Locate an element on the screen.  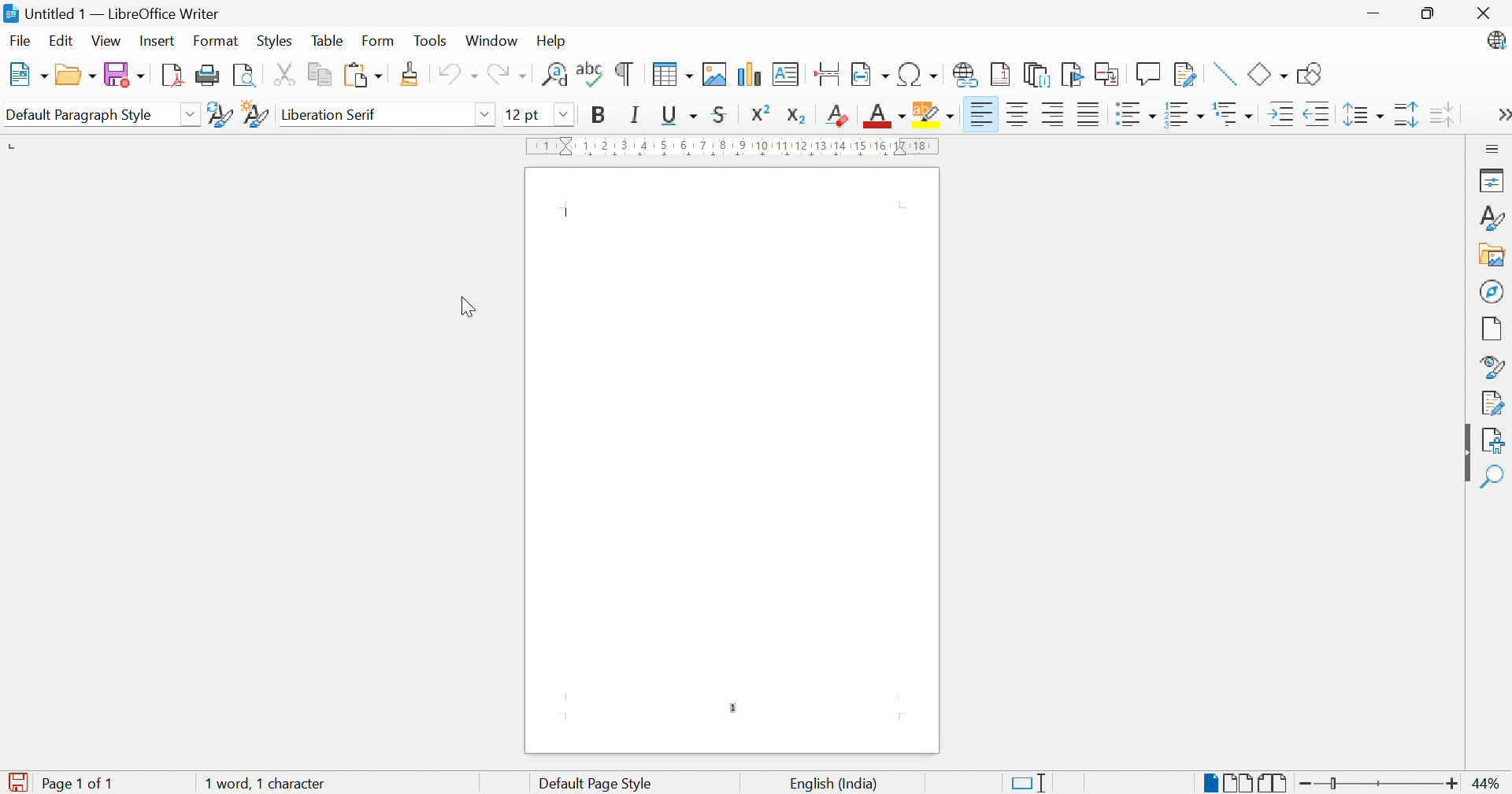
Styles is located at coordinates (1495, 217).